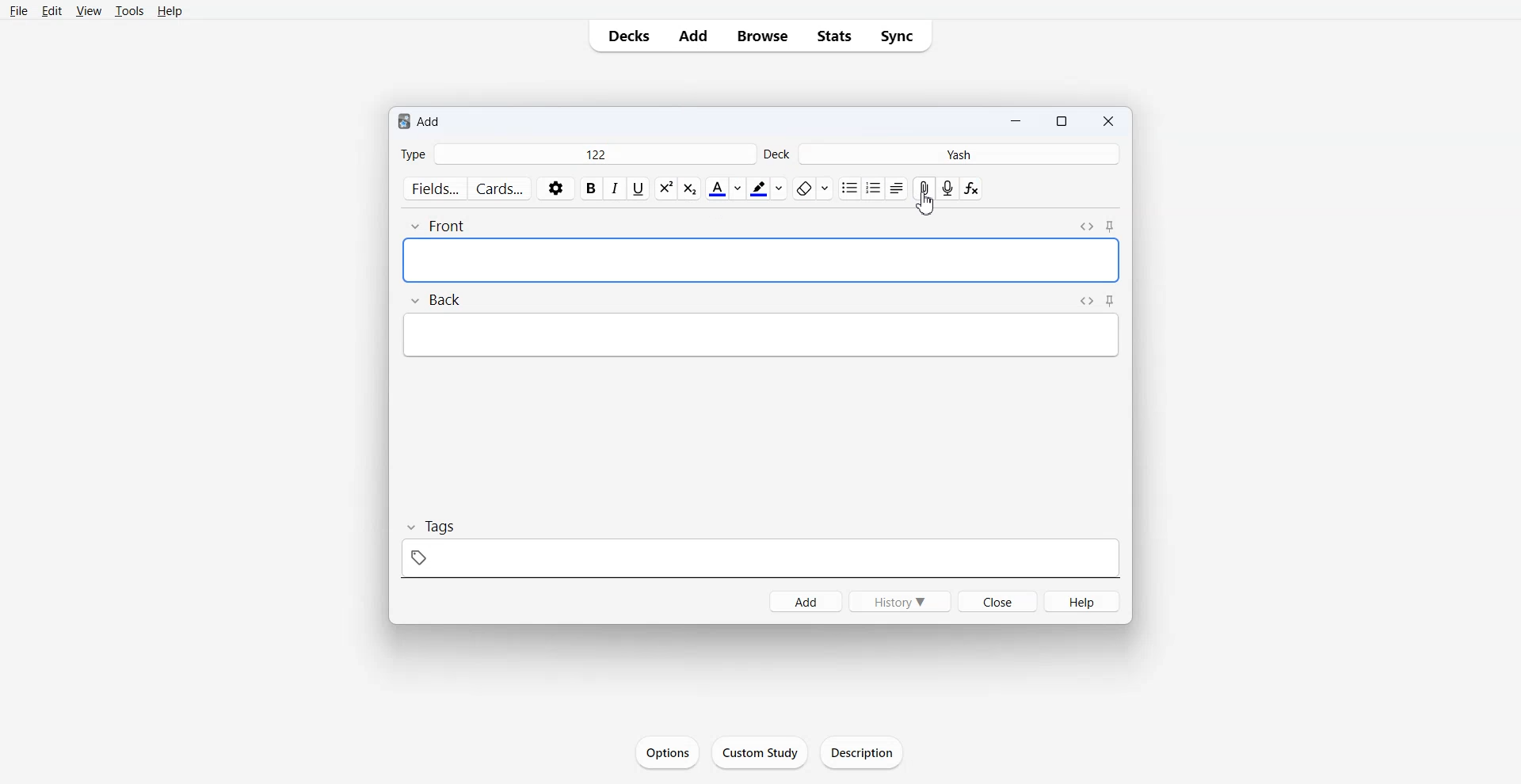  What do you see at coordinates (1083, 601) in the screenshot?
I see `Help` at bounding box center [1083, 601].